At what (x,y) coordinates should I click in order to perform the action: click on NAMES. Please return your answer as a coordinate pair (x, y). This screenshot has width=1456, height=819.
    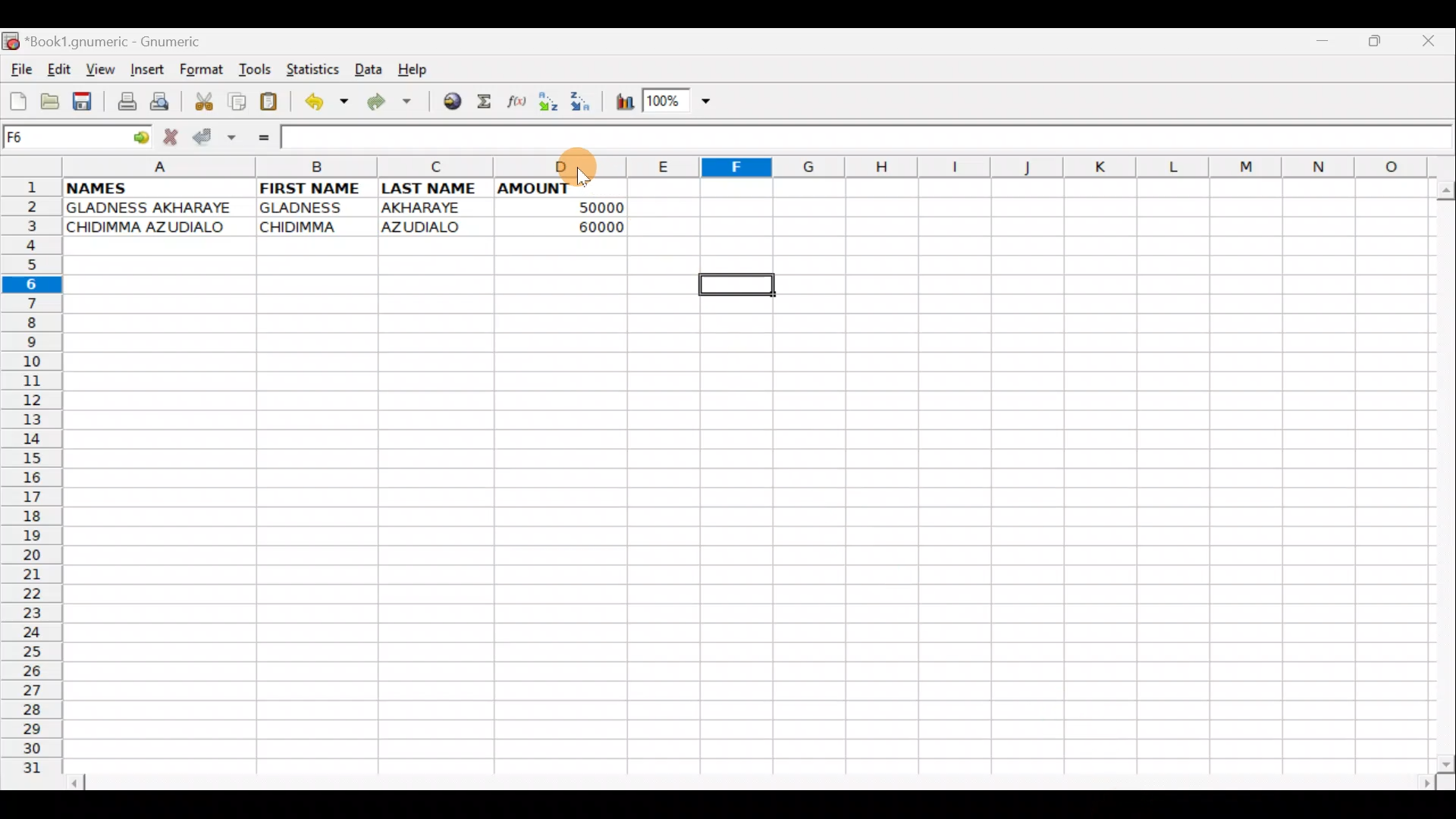
    Looking at the image, I should click on (120, 188).